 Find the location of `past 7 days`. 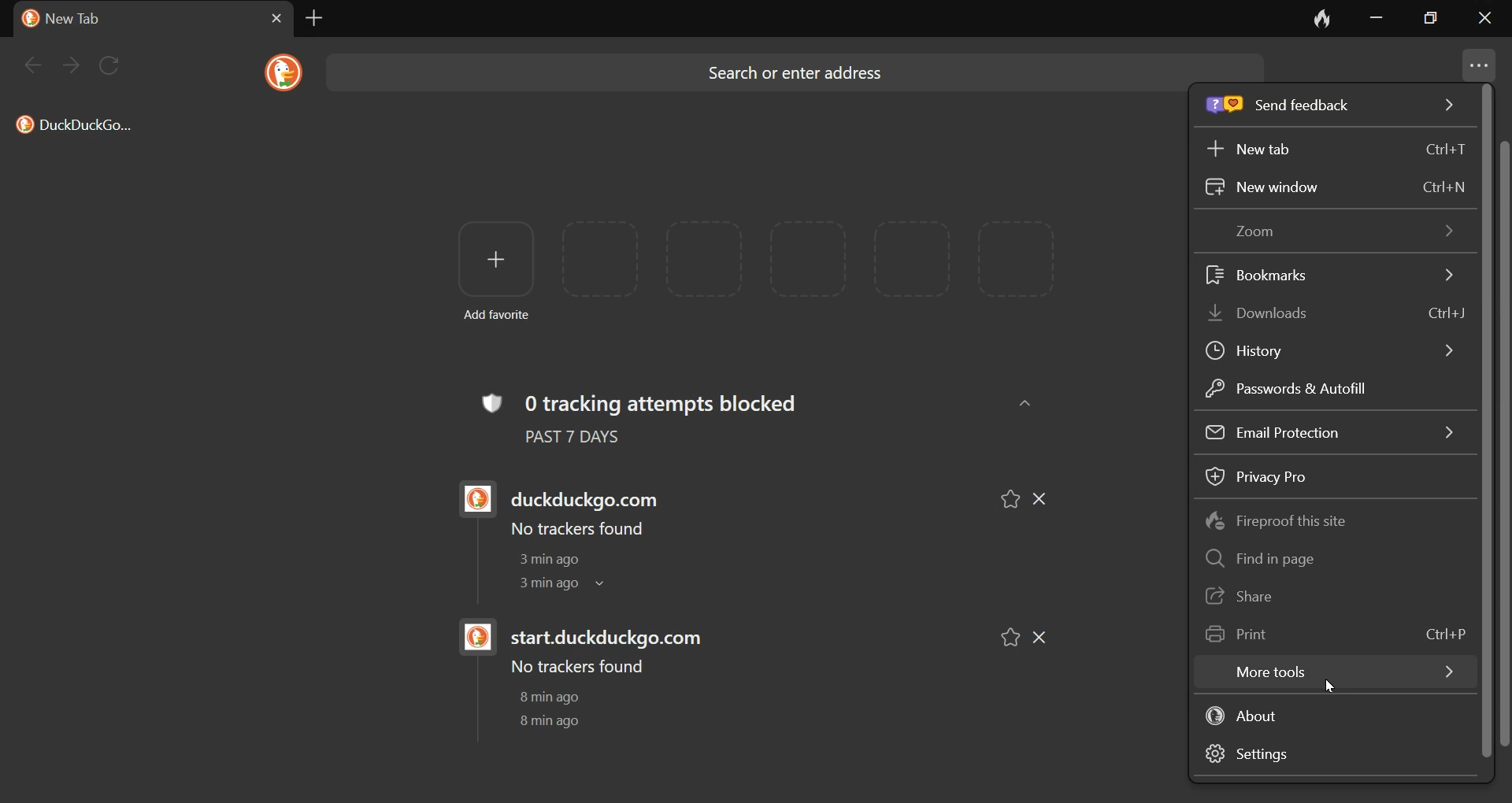

past 7 days is located at coordinates (592, 441).